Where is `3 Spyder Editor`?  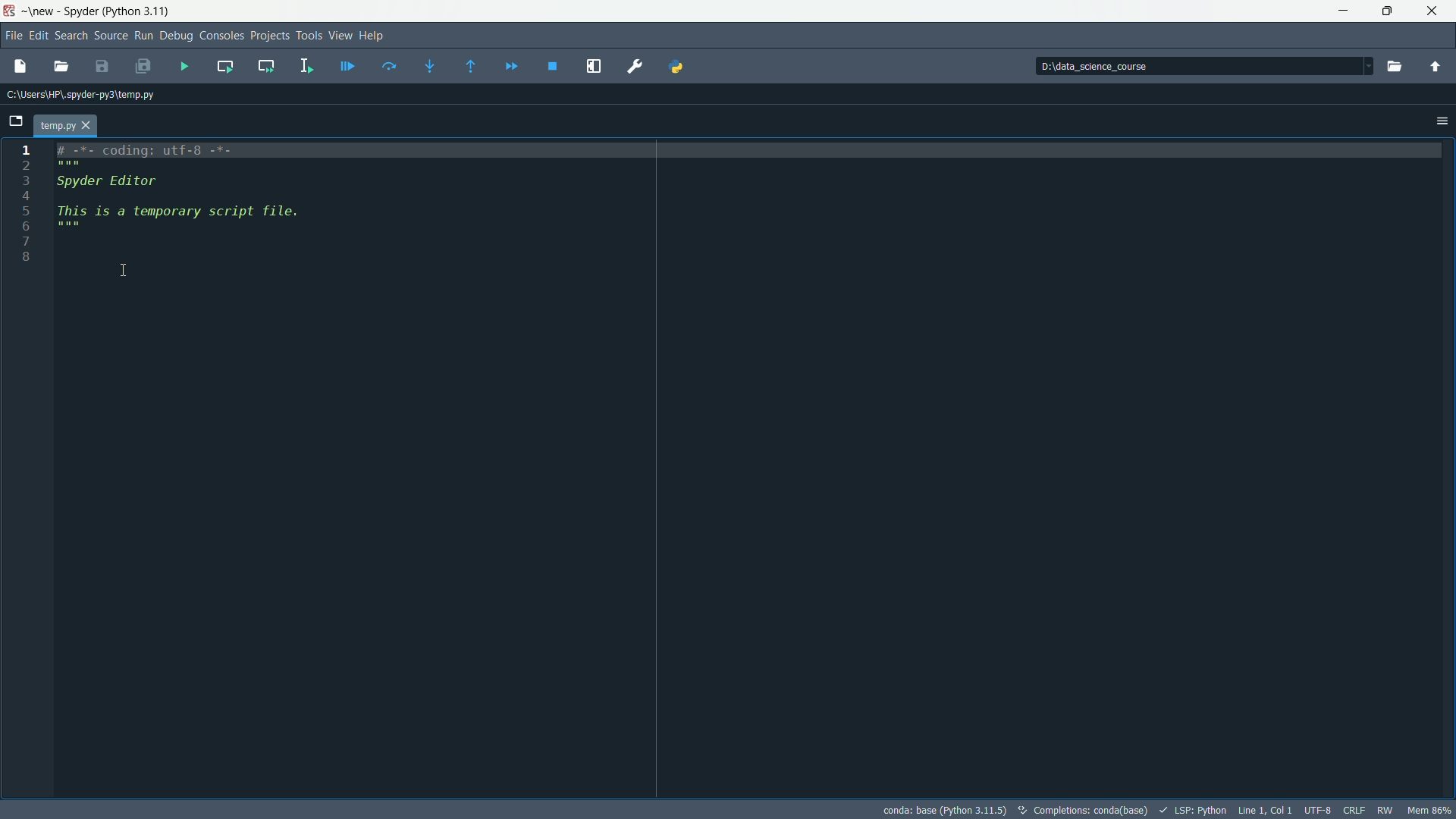
3 Spyder Editor is located at coordinates (126, 180).